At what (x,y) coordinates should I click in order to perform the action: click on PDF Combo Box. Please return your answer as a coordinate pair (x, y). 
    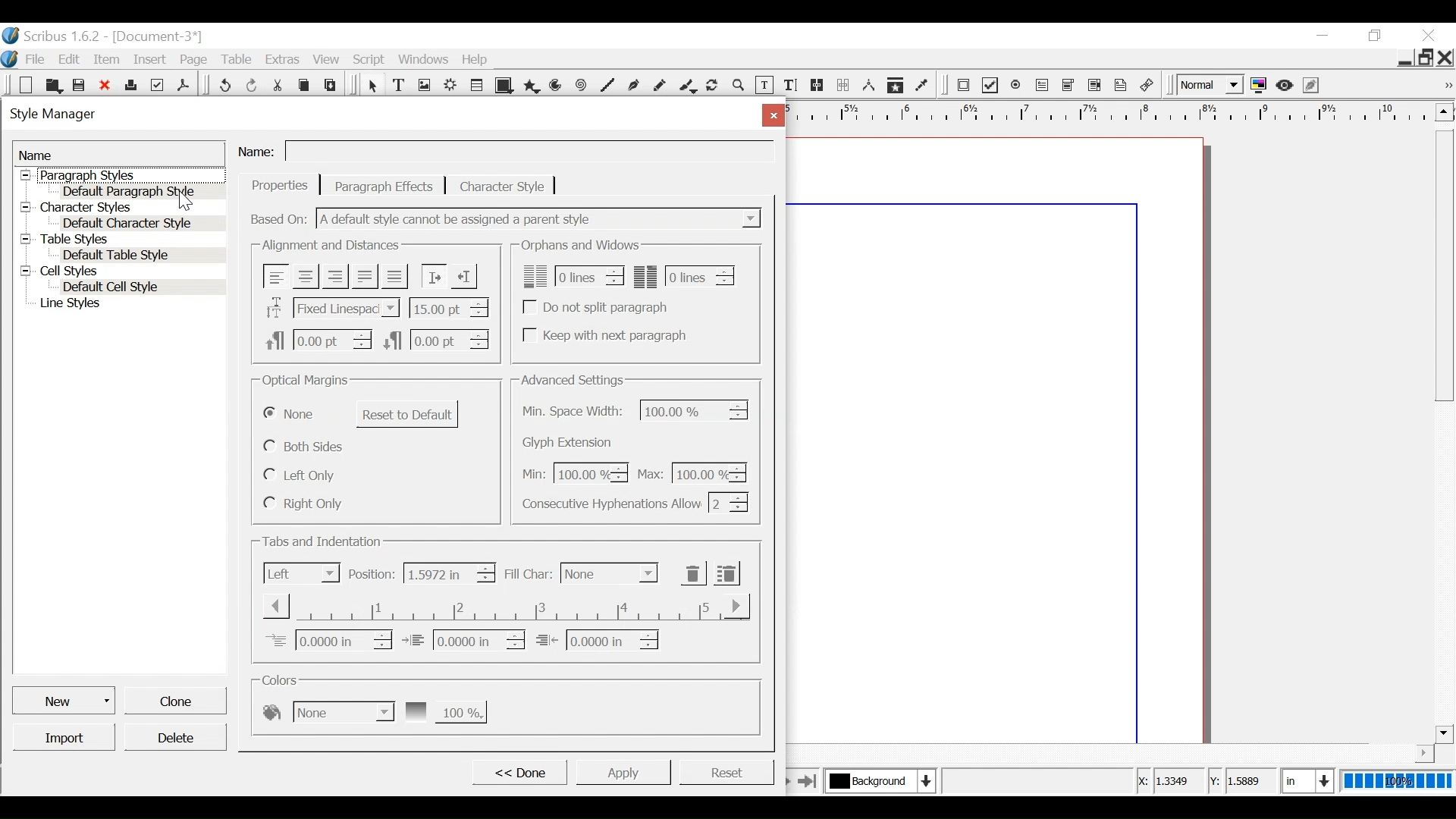
    Looking at the image, I should click on (1070, 86).